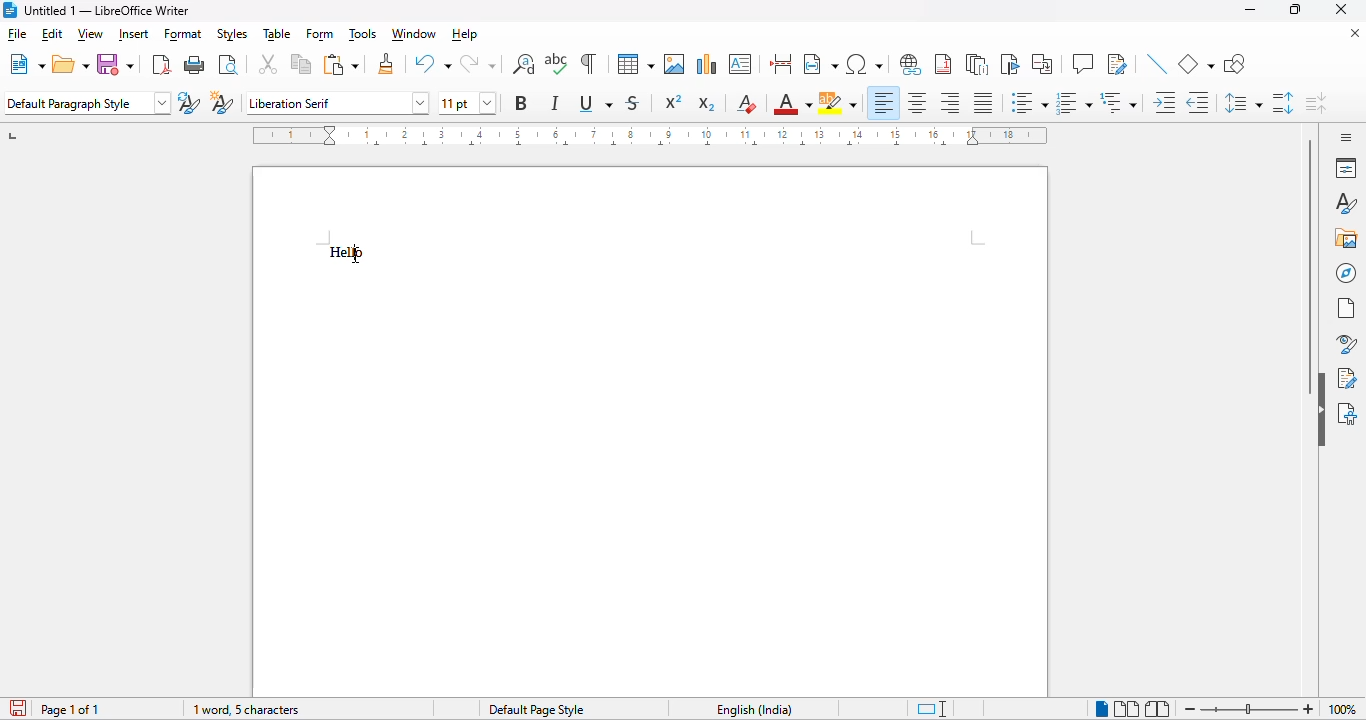 This screenshot has width=1366, height=720. I want to click on logo, so click(9, 10).